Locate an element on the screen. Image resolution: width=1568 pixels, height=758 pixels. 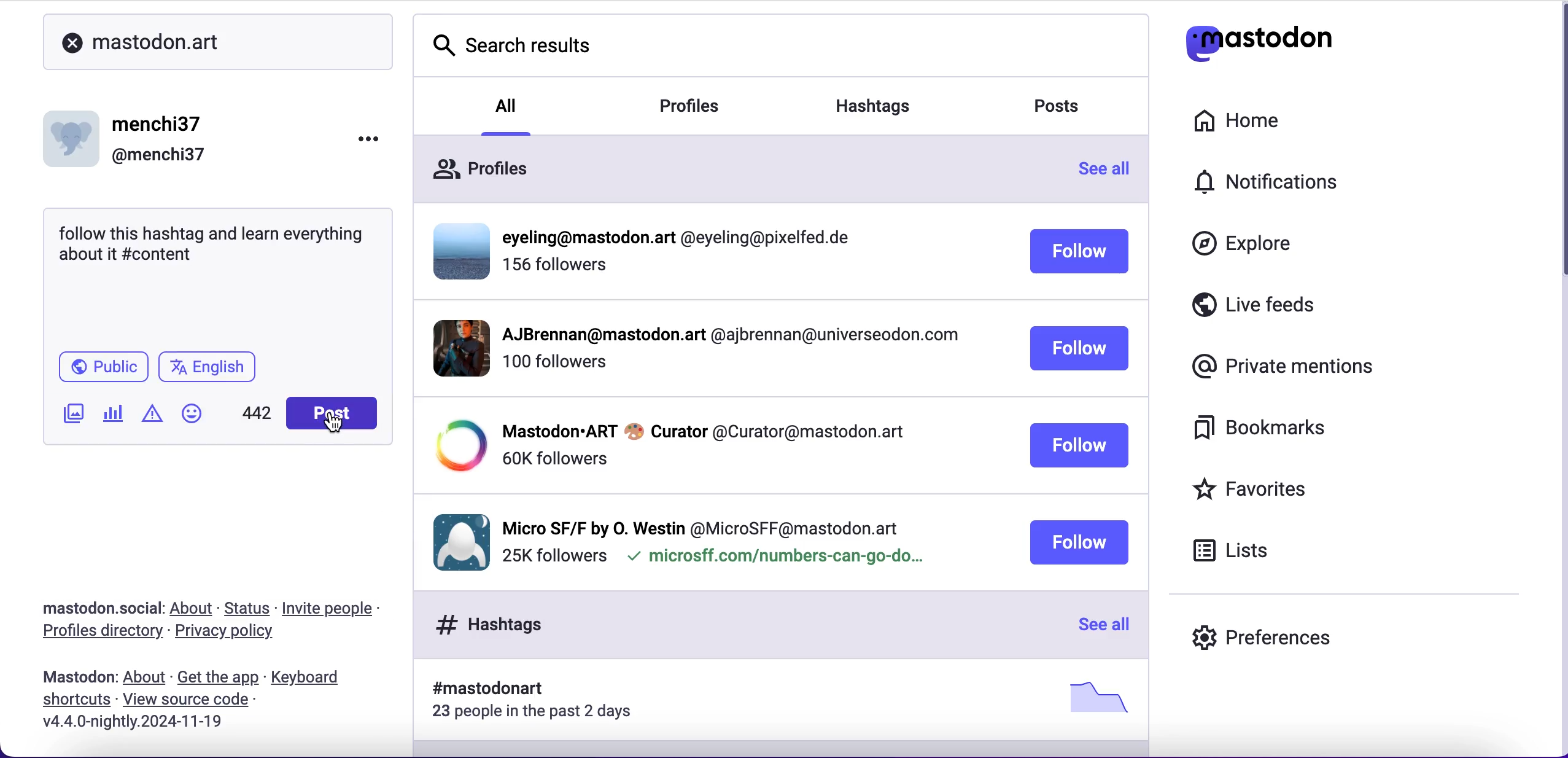
display picture is located at coordinates (451, 347).